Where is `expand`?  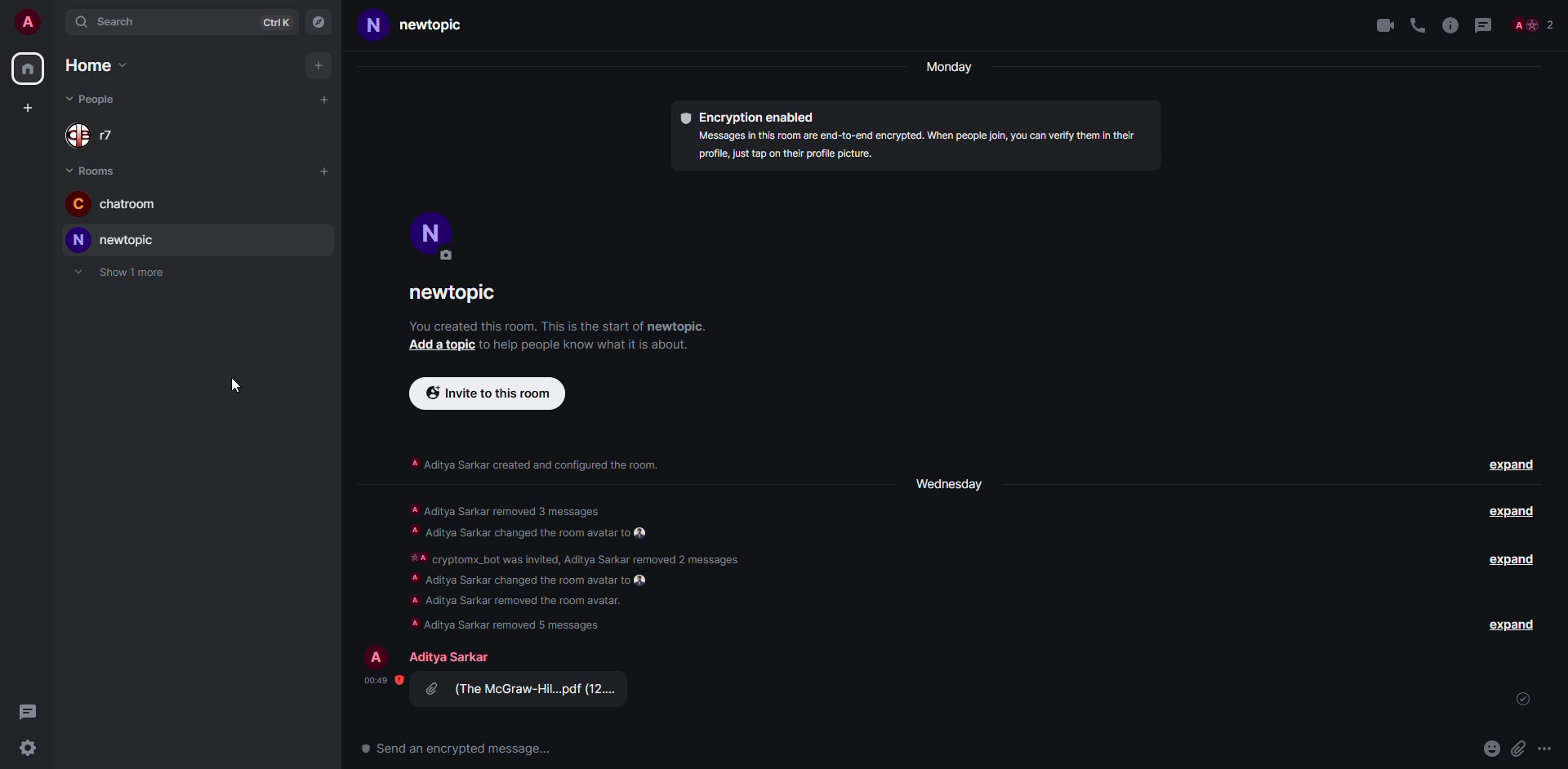
expand is located at coordinates (1512, 464).